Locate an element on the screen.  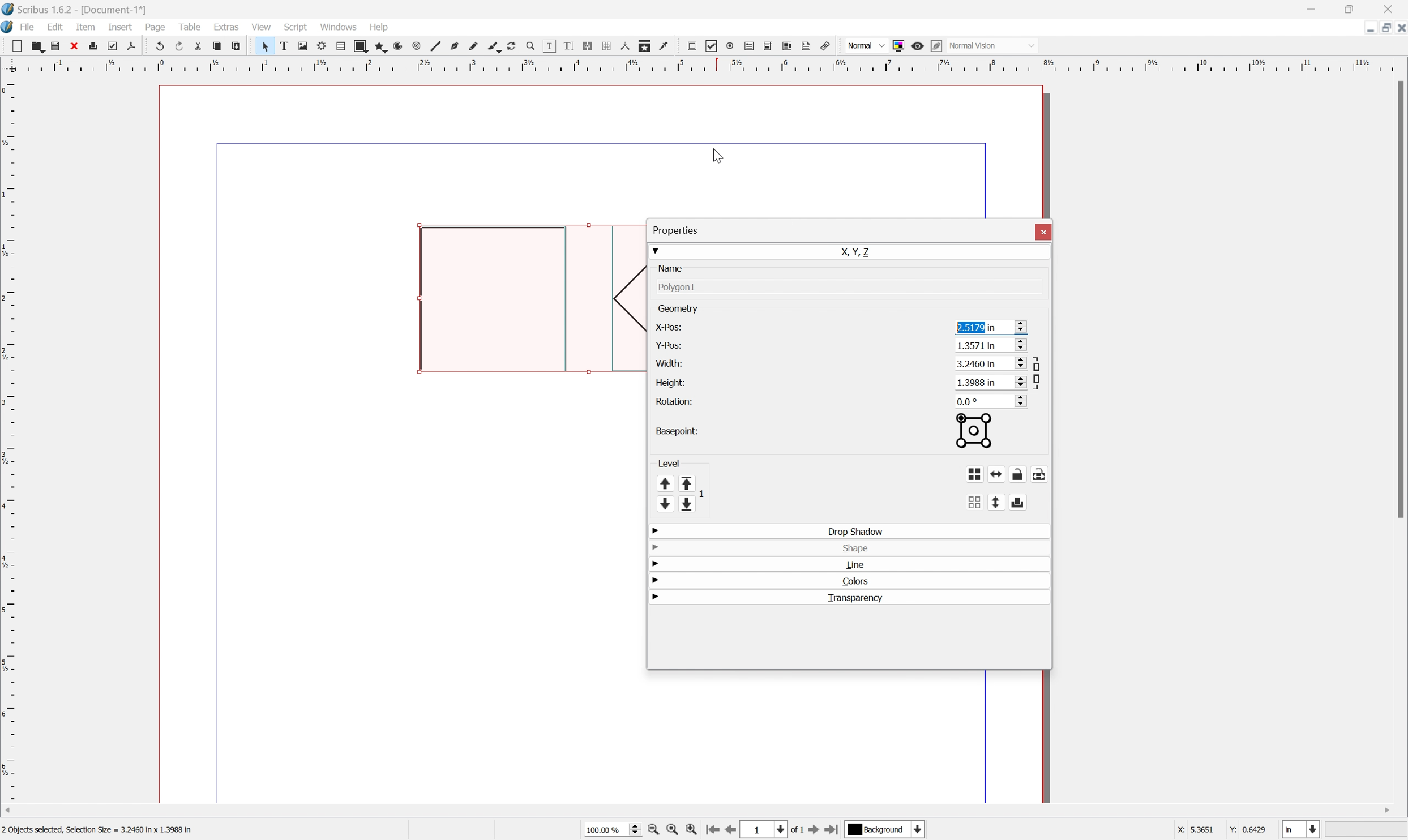
rotate item is located at coordinates (510, 46).